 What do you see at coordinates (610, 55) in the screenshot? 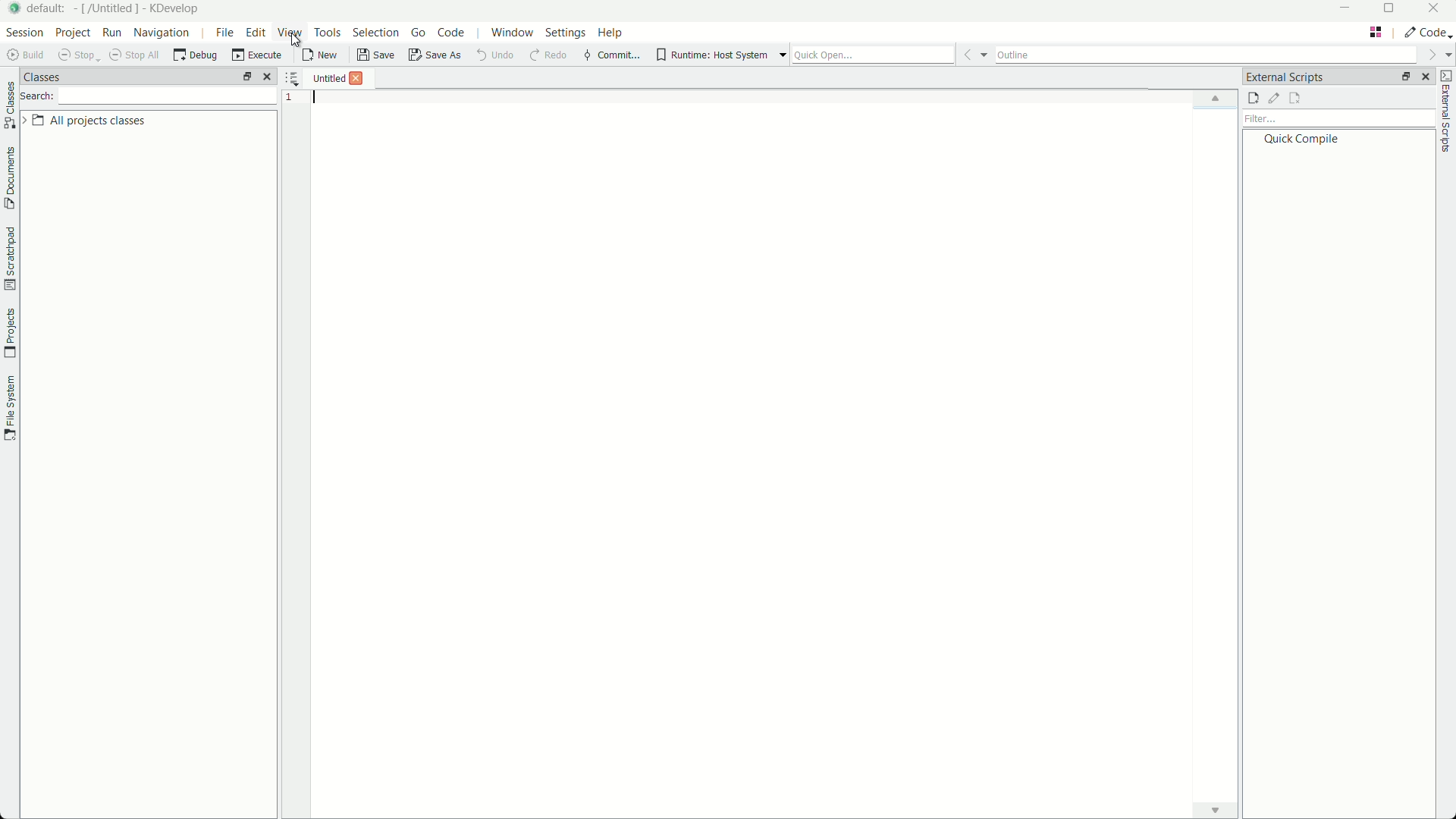
I see `commit` at bounding box center [610, 55].